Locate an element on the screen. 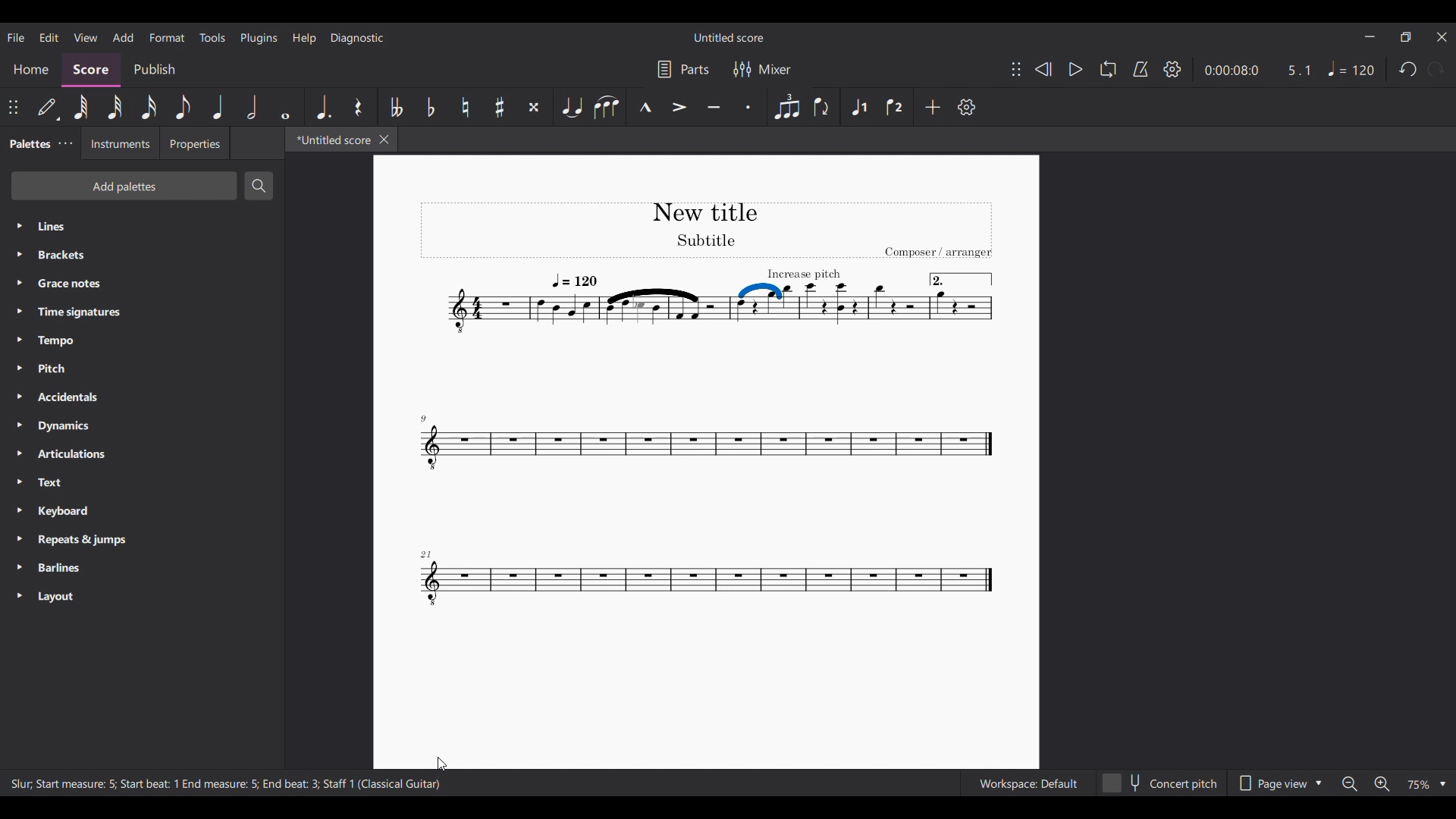 The width and height of the screenshot is (1456, 819). Augmentation dot is located at coordinates (324, 107).